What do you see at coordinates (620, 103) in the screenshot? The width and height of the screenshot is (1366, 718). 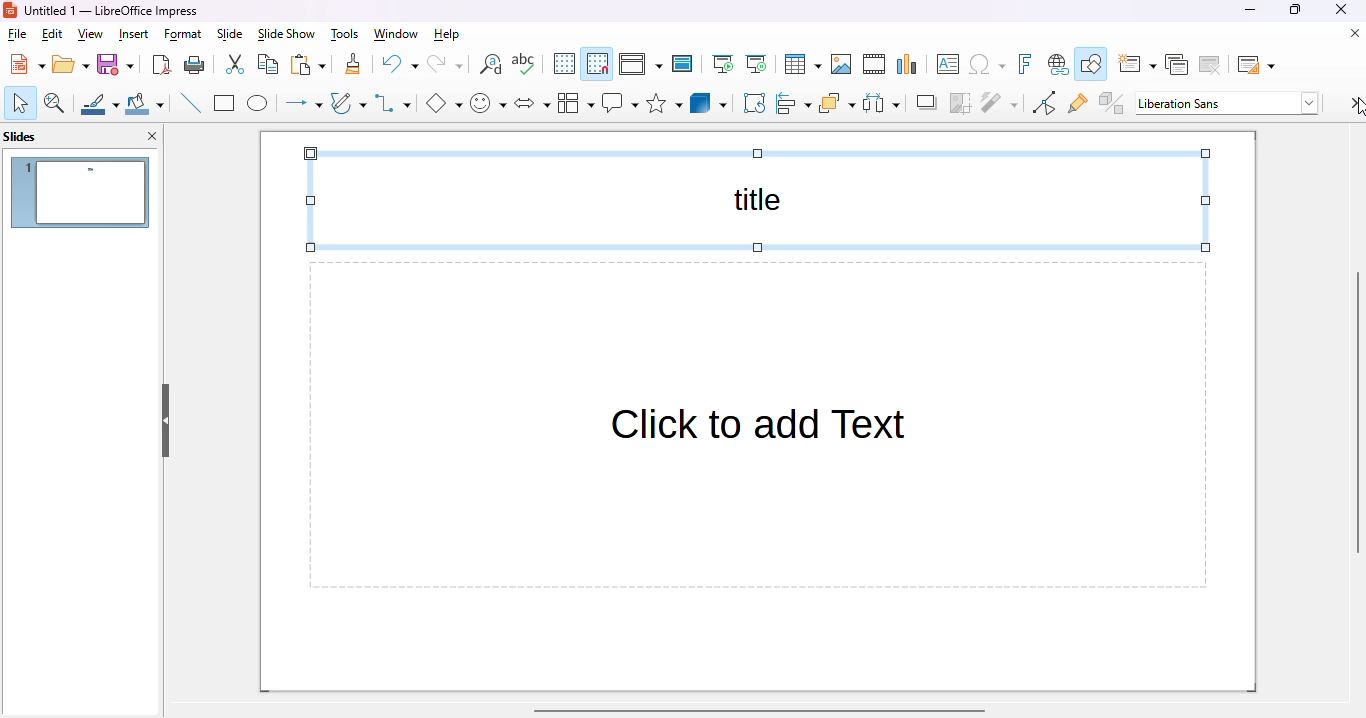 I see `callout shapes` at bounding box center [620, 103].